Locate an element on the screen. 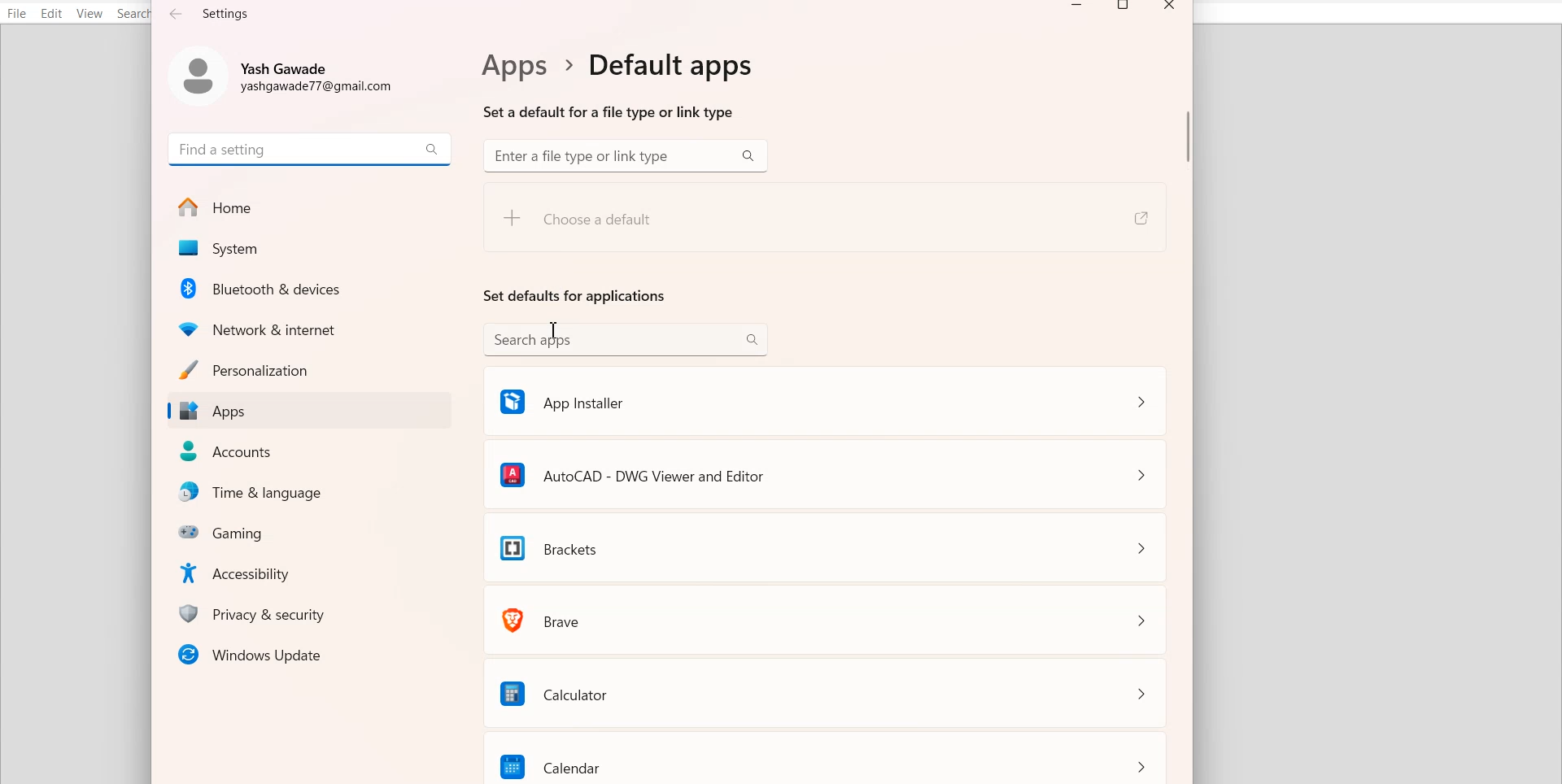  Search is located at coordinates (135, 14).